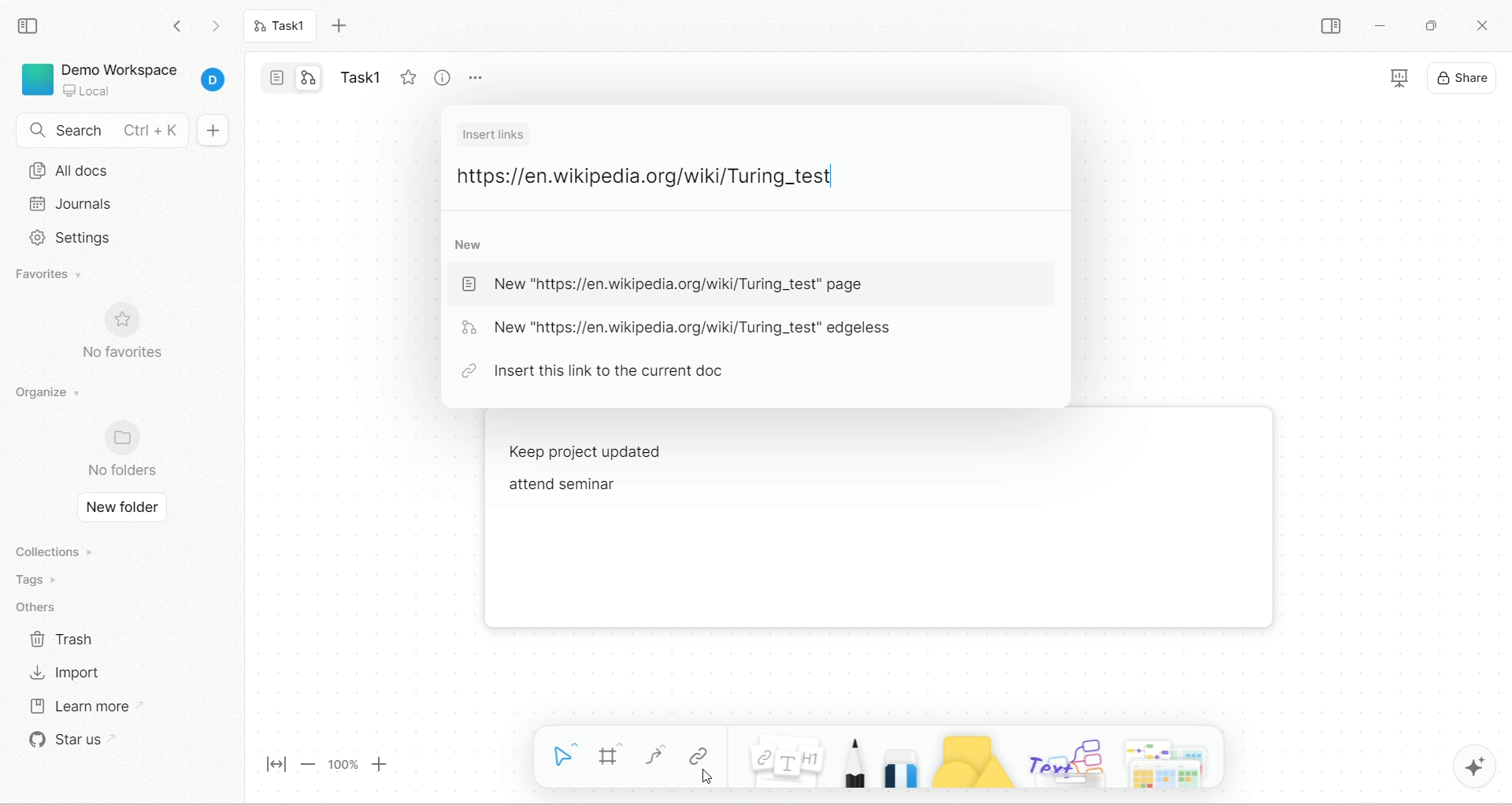 This screenshot has height=805, width=1512. Describe the element at coordinates (406, 77) in the screenshot. I see `favorite` at that location.